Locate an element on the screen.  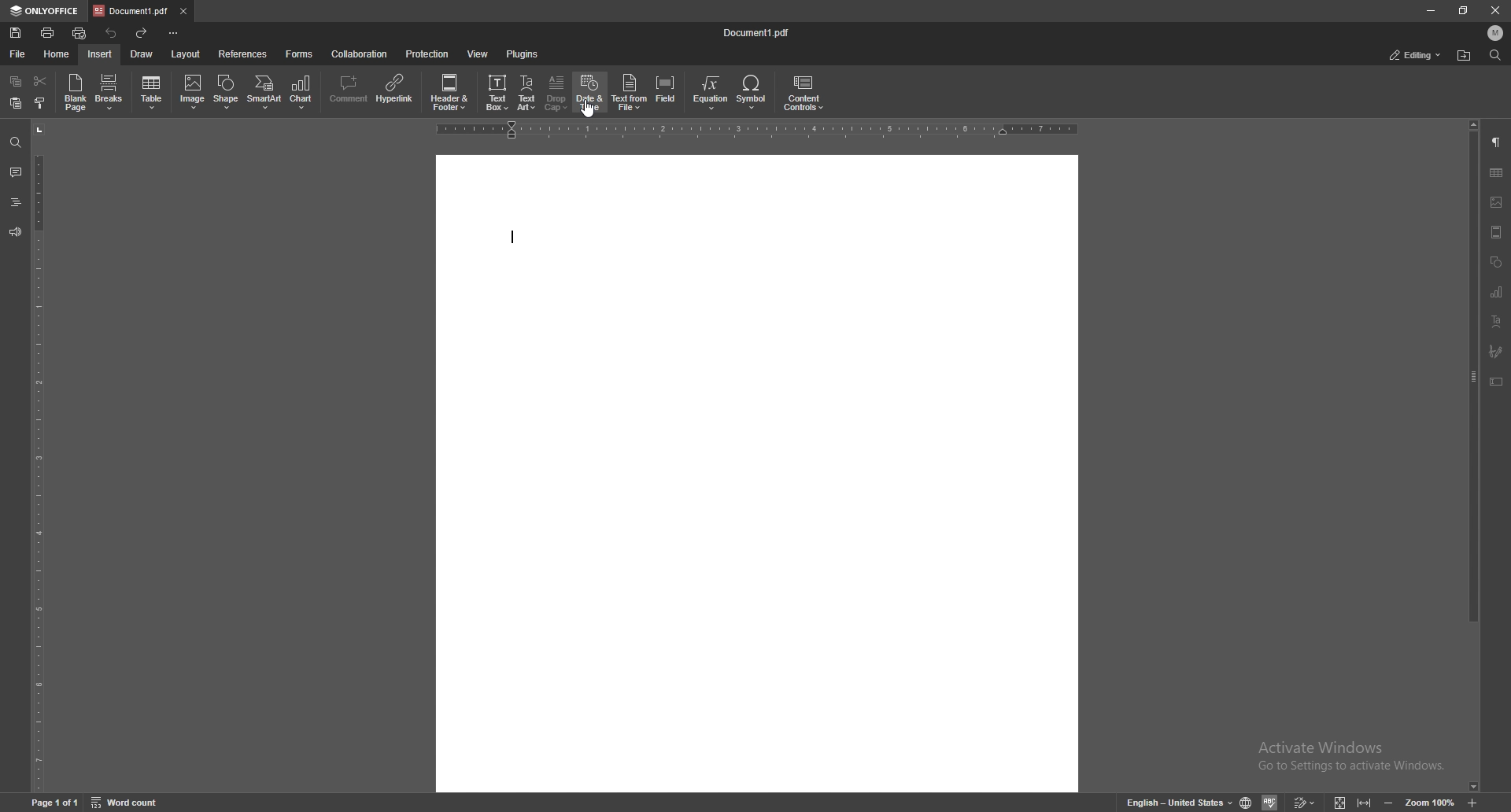
protection is located at coordinates (428, 54).